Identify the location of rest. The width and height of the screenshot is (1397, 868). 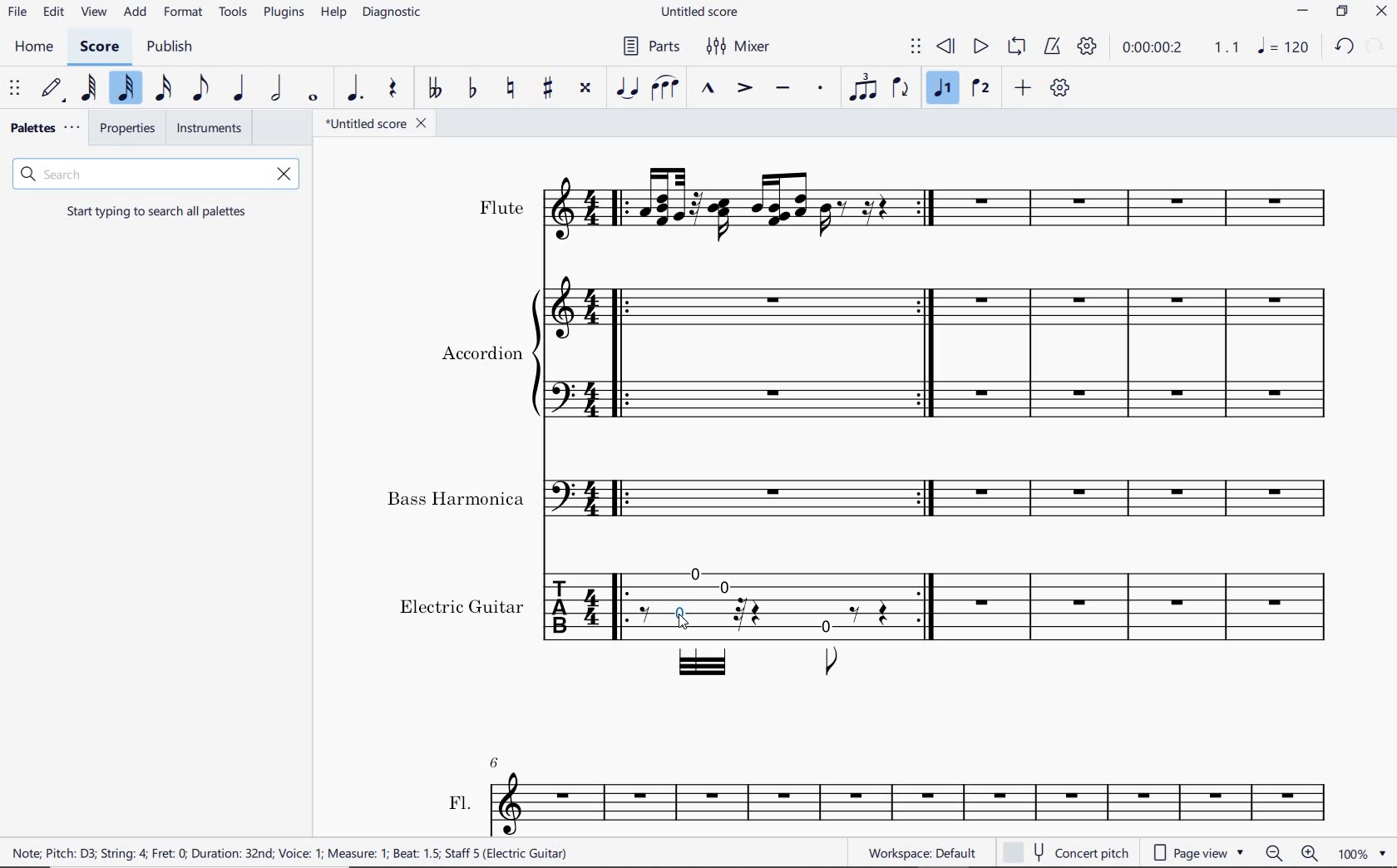
(392, 91).